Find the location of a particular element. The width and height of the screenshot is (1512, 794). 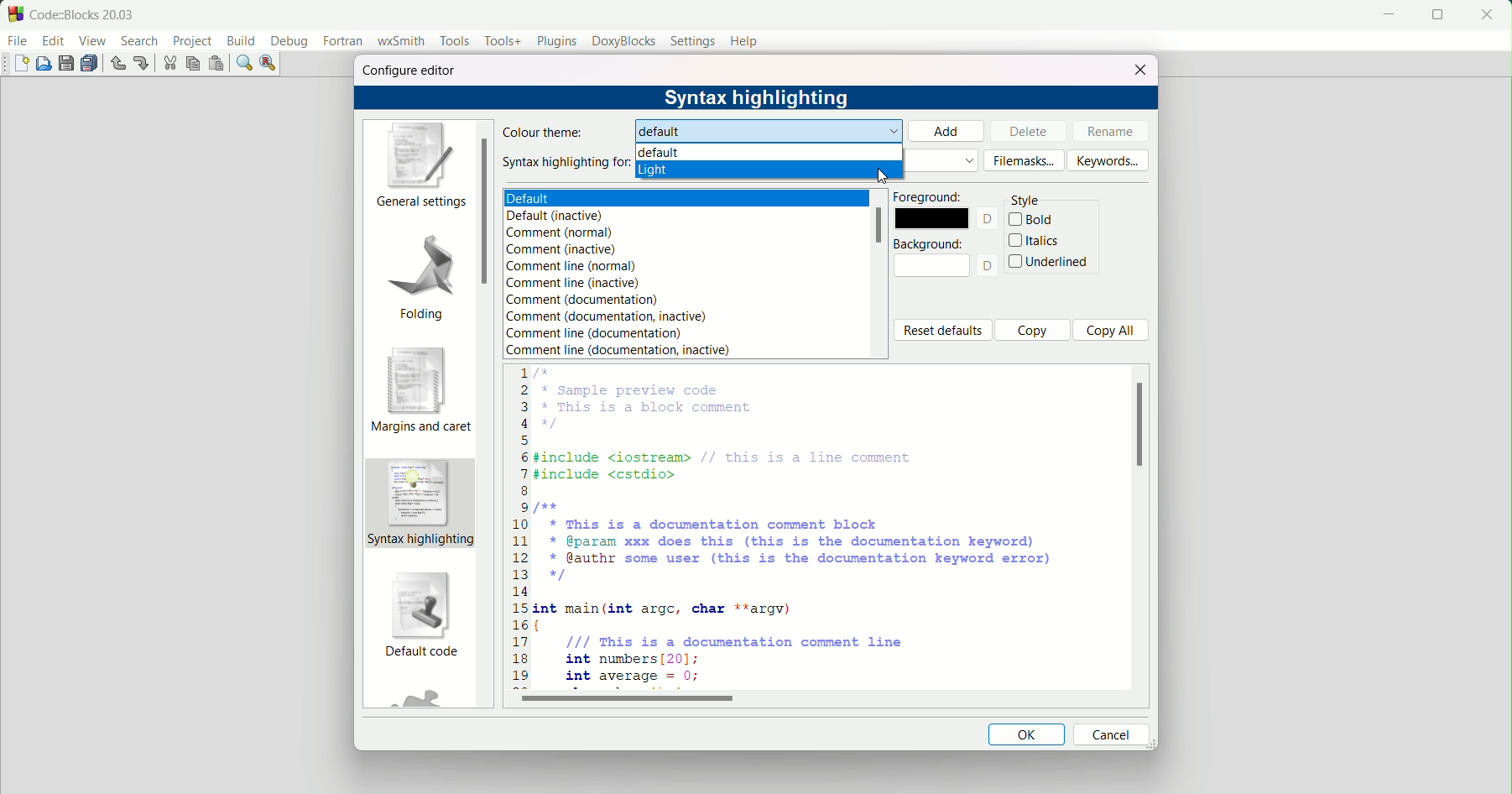

close is located at coordinates (1487, 15).